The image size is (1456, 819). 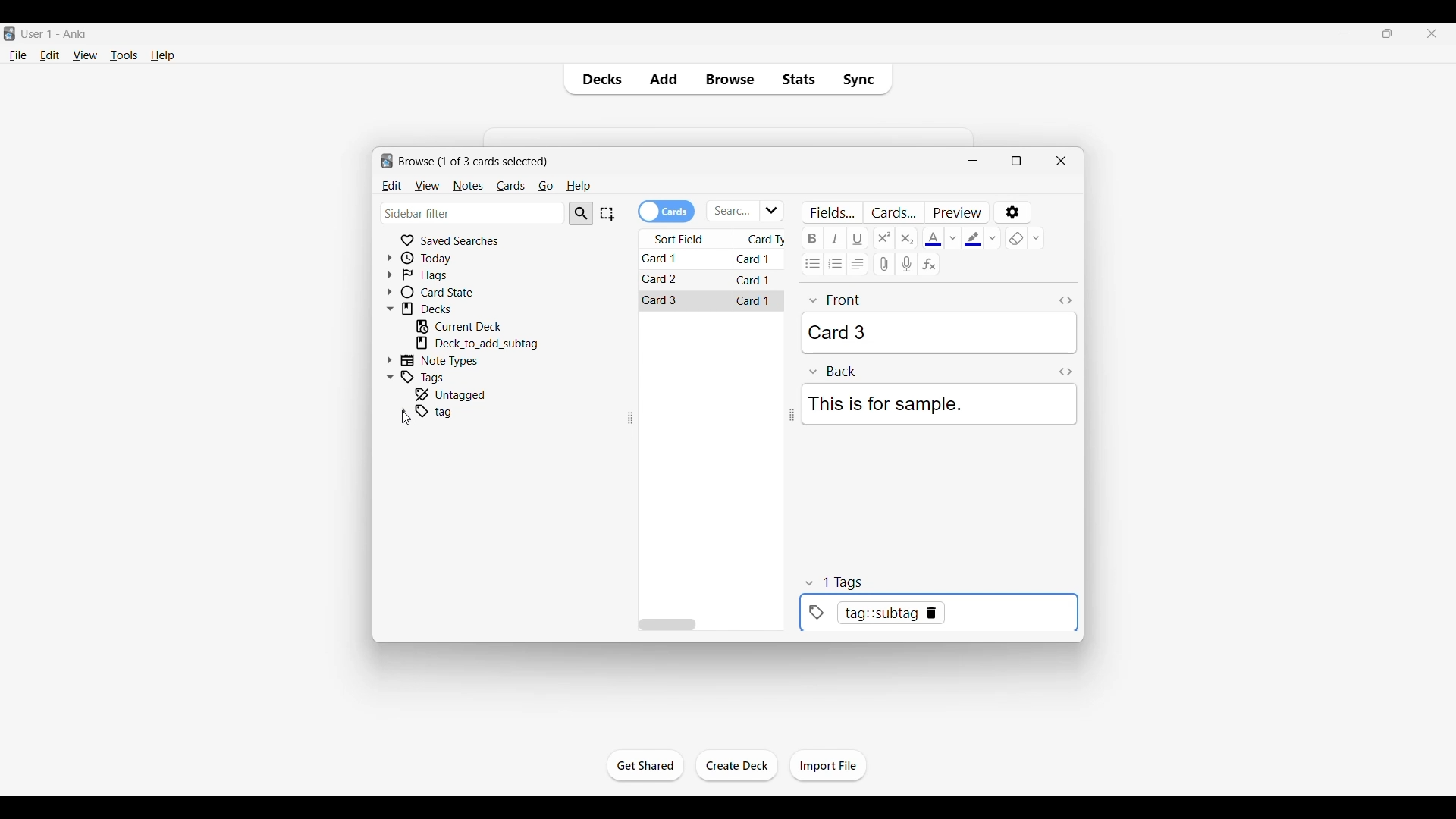 What do you see at coordinates (390, 275) in the screenshot?
I see `Click to expand flags` at bounding box center [390, 275].